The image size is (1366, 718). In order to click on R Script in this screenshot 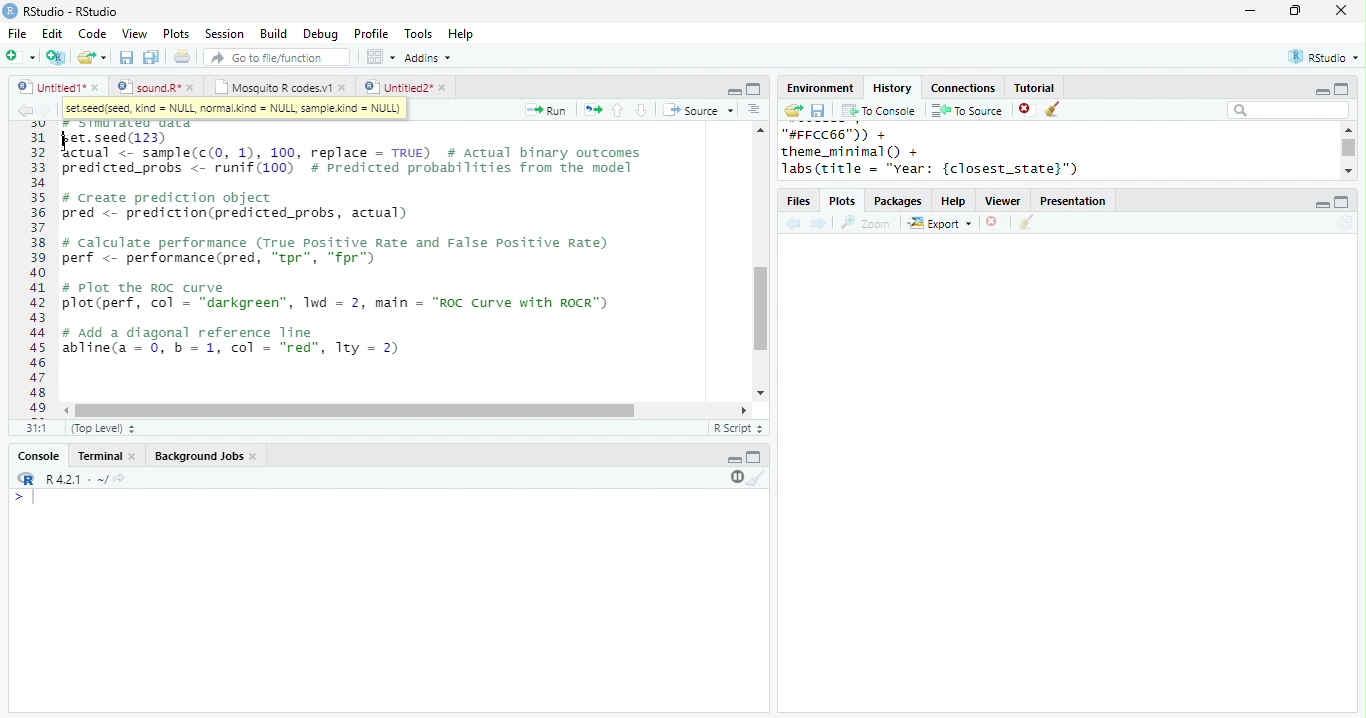, I will do `click(739, 427)`.